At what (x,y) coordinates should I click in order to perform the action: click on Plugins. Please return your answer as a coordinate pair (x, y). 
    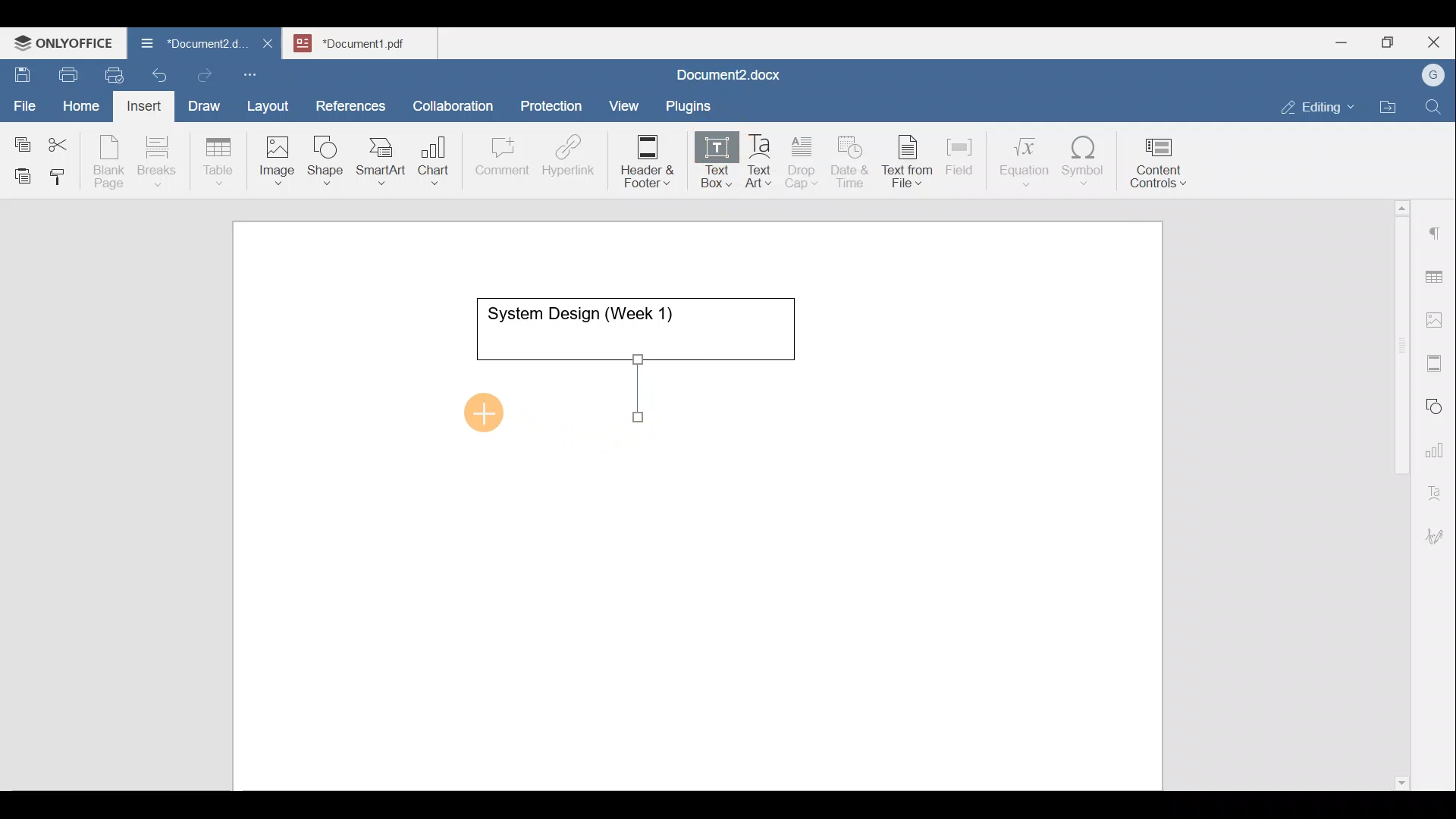
    Looking at the image, I should click on (693, 104).